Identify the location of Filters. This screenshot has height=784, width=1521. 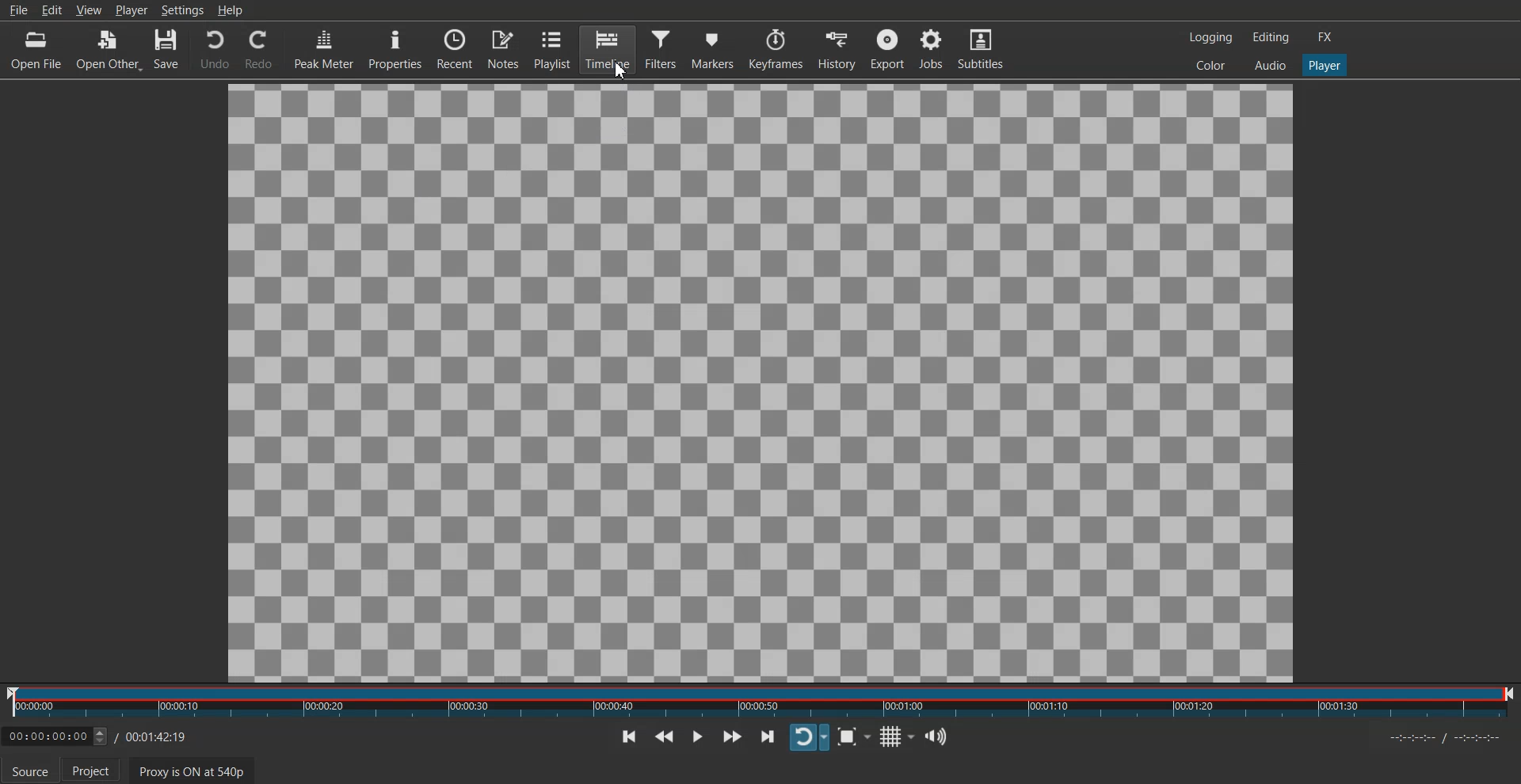
(661, 48).